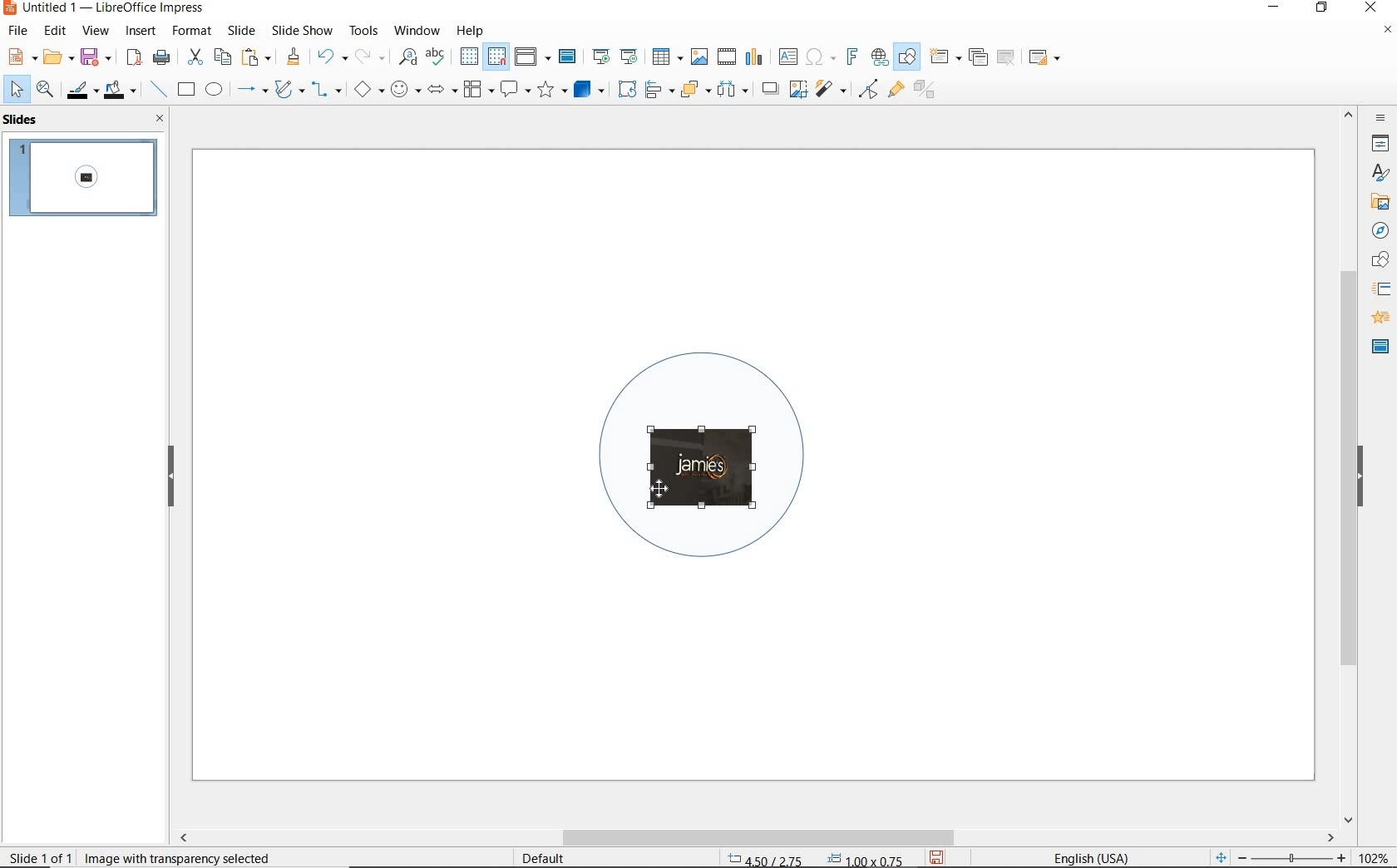 This screenshot has height=868, width=1397. I want to click on callout shapes, so click(512, 91).